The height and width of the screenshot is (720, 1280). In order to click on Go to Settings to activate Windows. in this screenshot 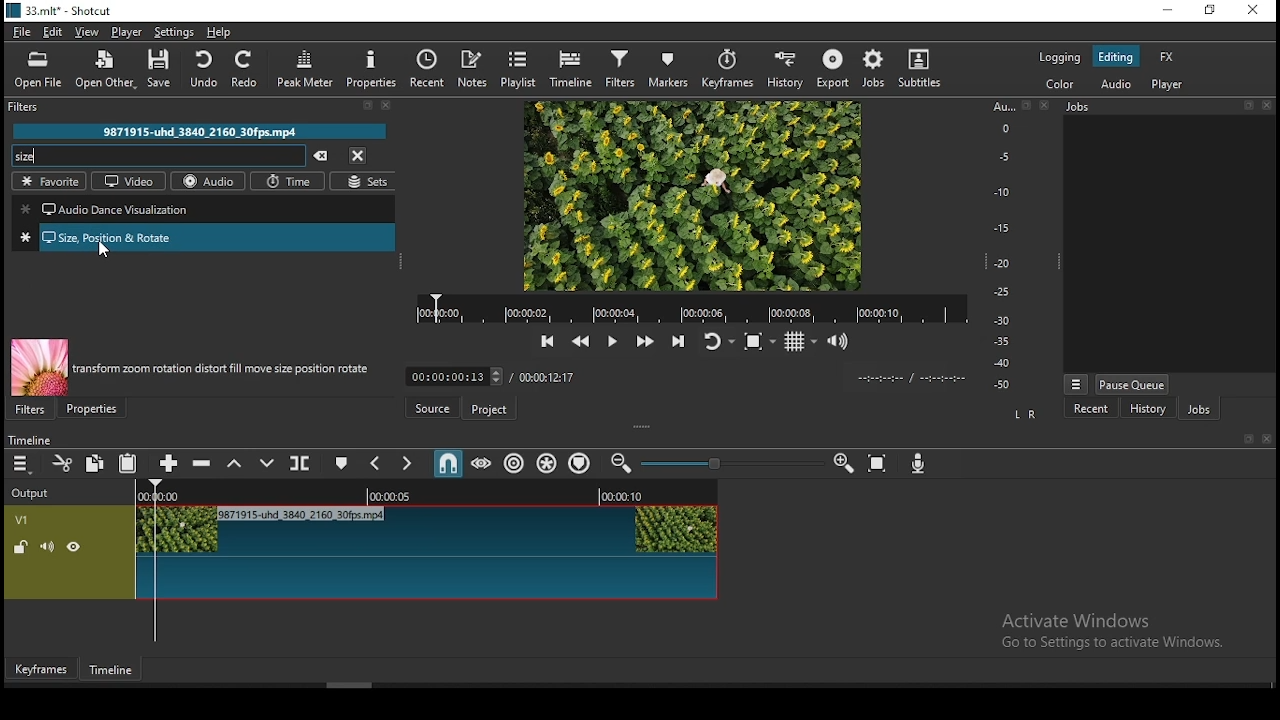, I will do `click(1112, 641)`.